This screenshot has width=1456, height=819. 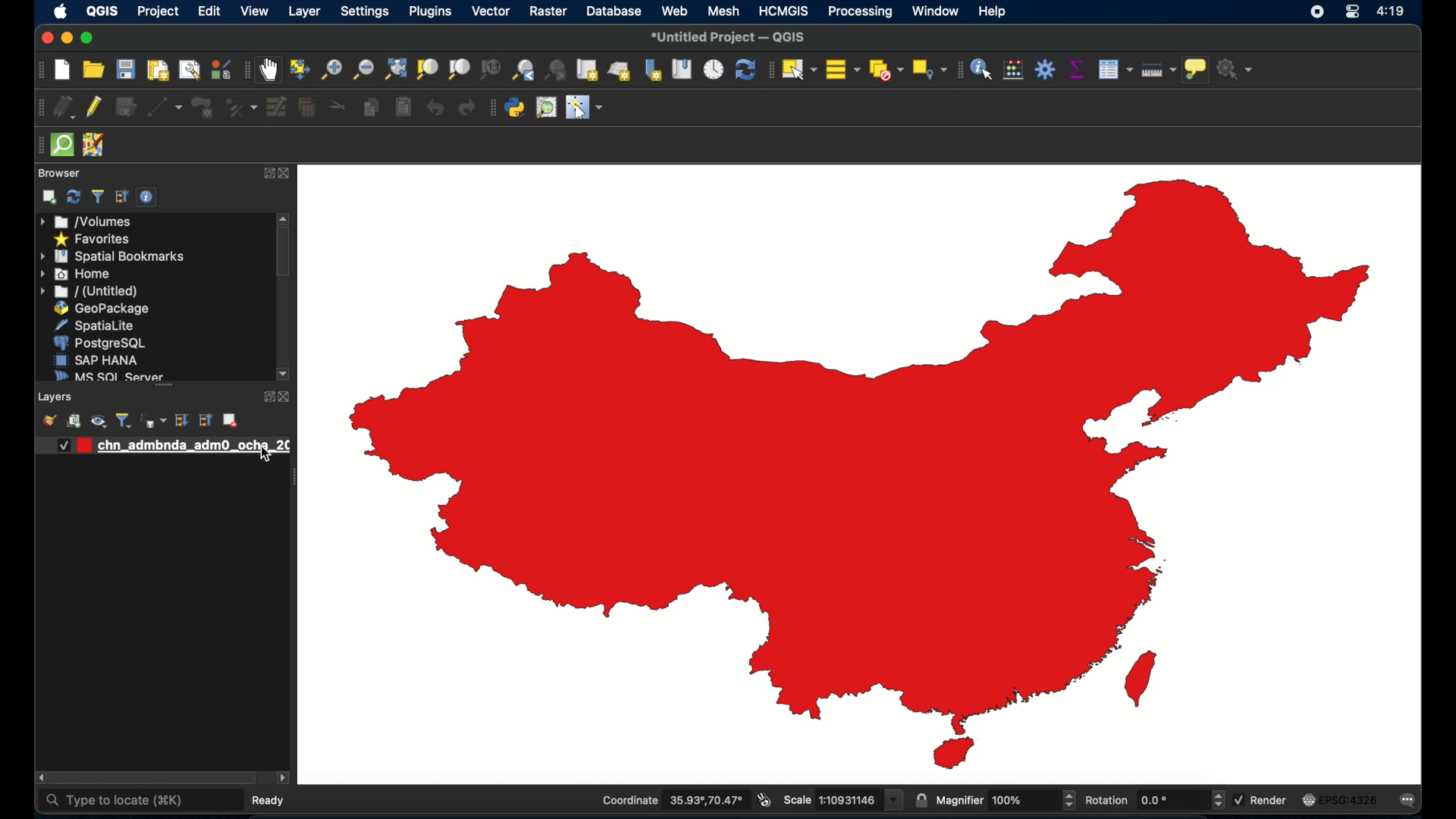 What do you see at coordinates (157, 13) in the screenshot?
I see `project` at bounding box center [157, 13].